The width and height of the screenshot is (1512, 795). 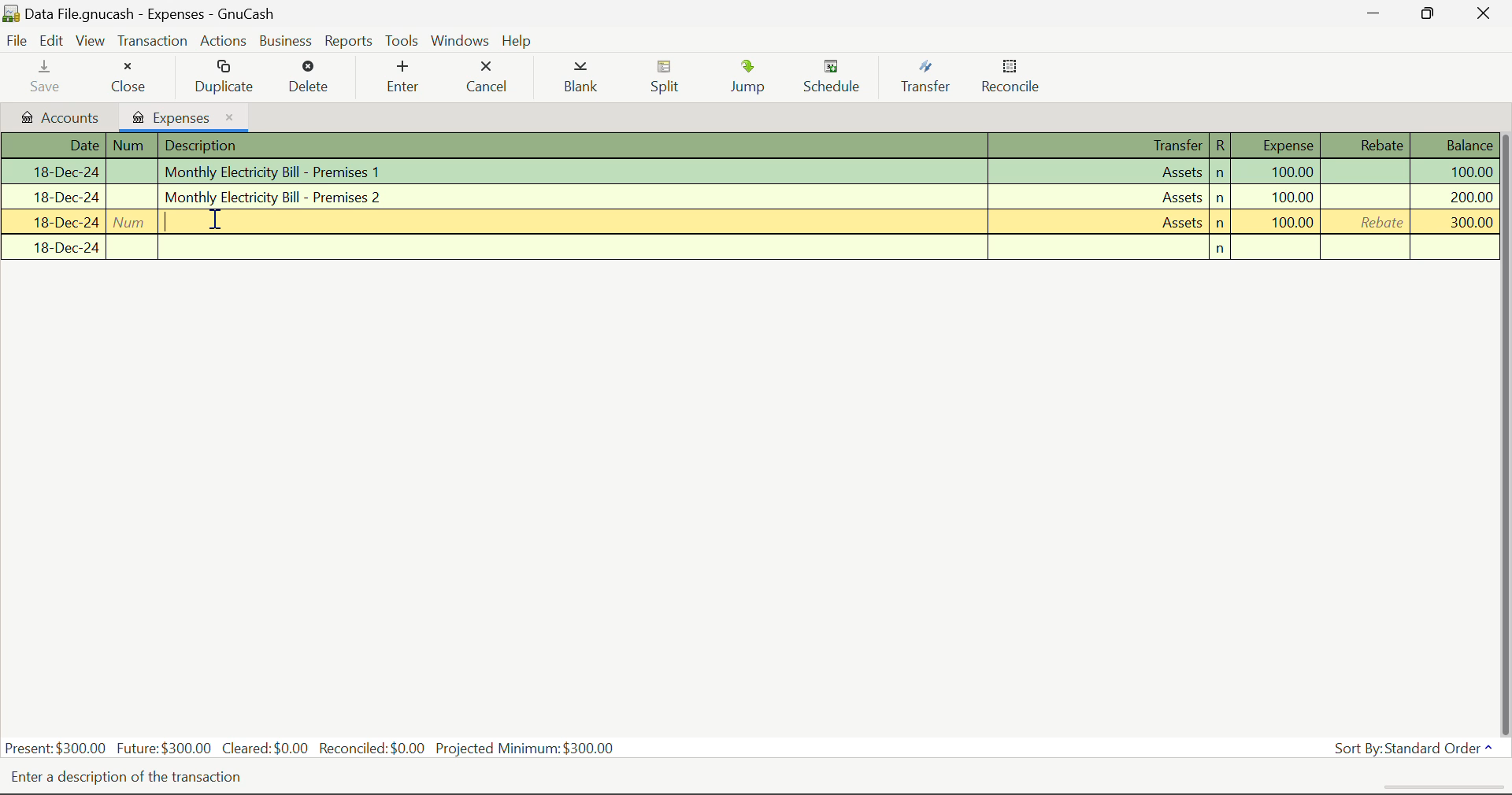 What do you see at coordinates (755, 79) in the screenshot?
I see `Jump ` at bounding box center [755, 79].